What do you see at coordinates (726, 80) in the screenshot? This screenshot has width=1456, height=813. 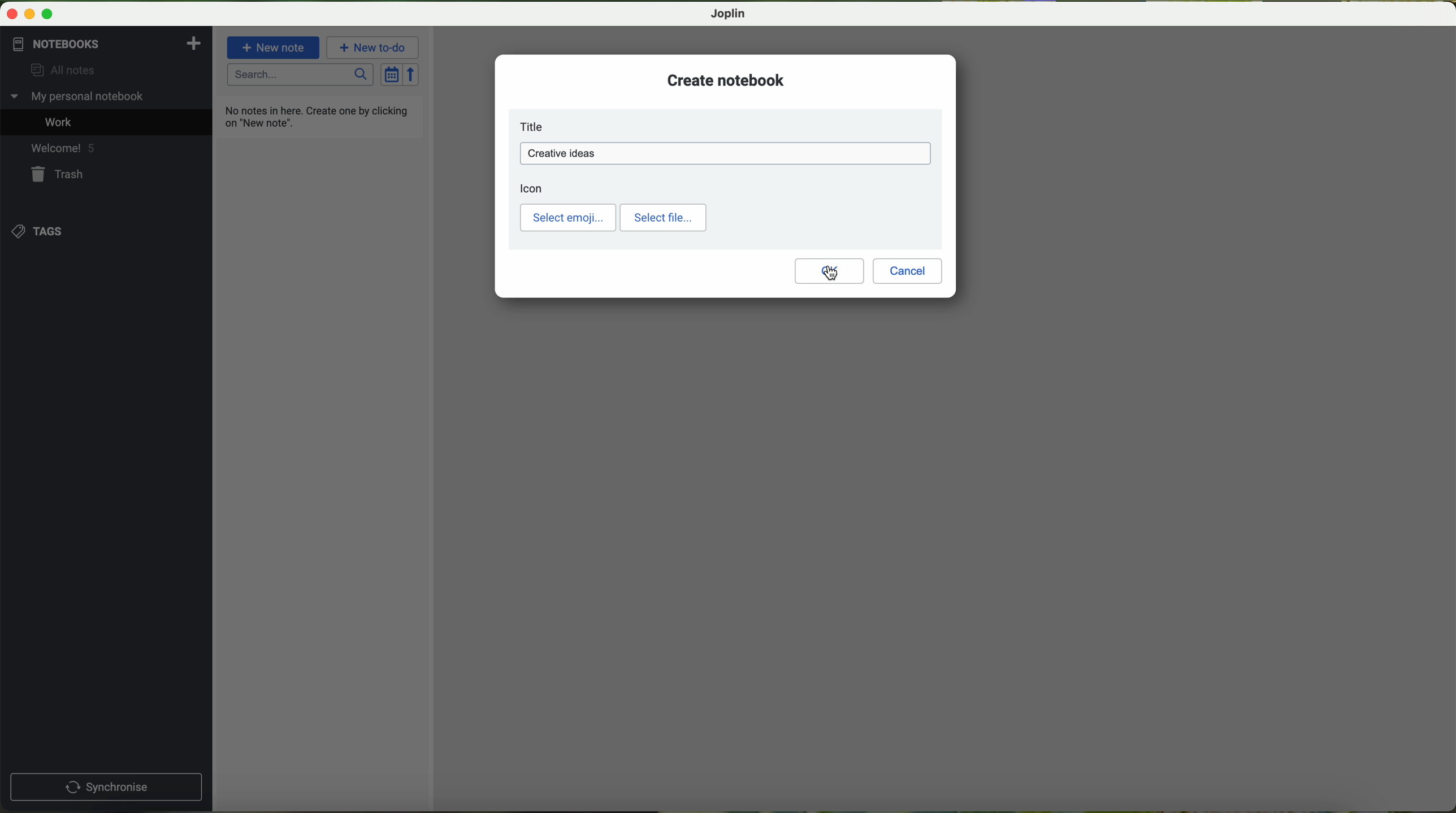 I see `create notebook` at bounding box center [726, 80].